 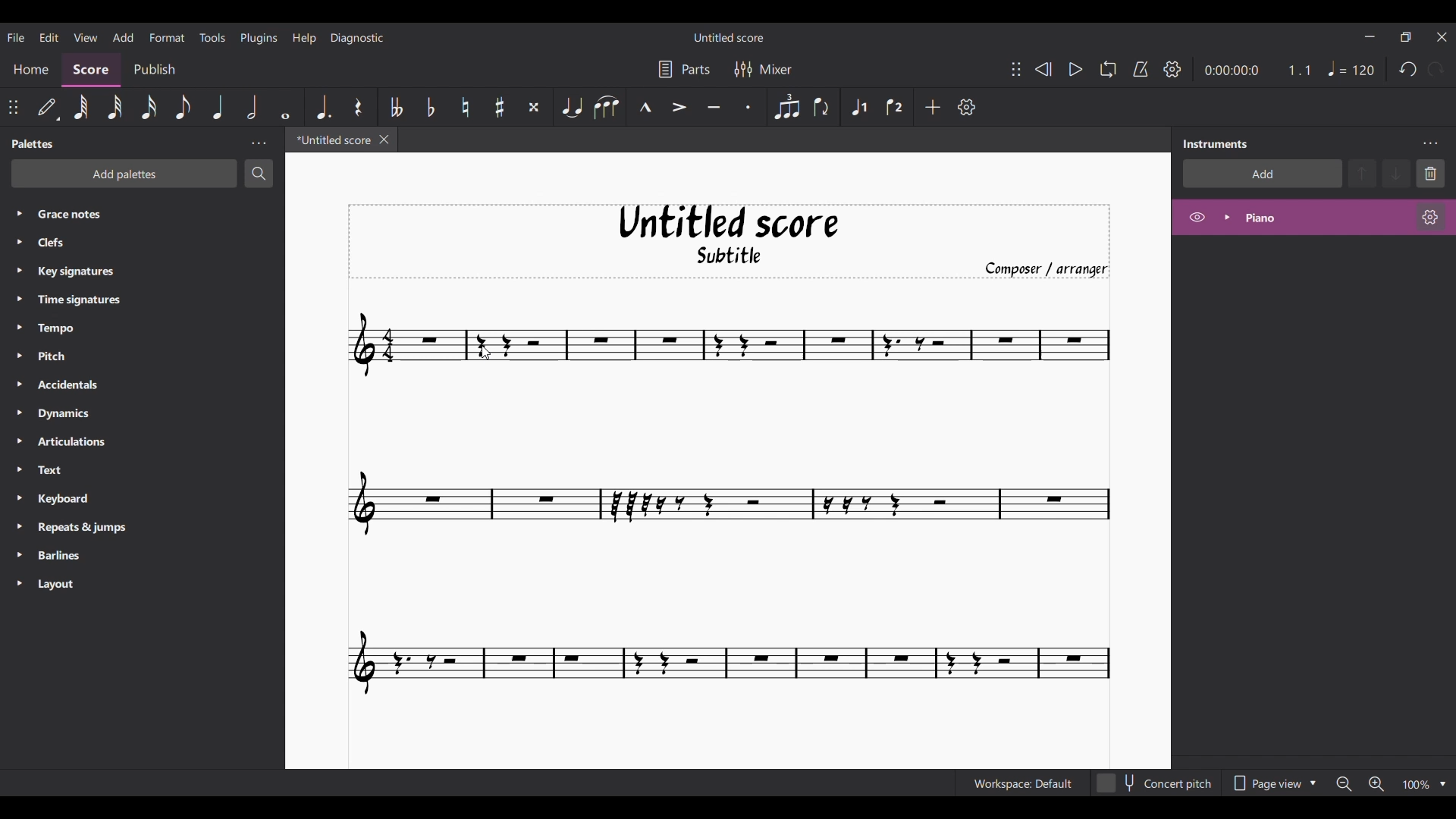 What do you see at coordinates (1043, 68) in the screenshot?
I see `Rewind` at bounding box center [1043, 68].